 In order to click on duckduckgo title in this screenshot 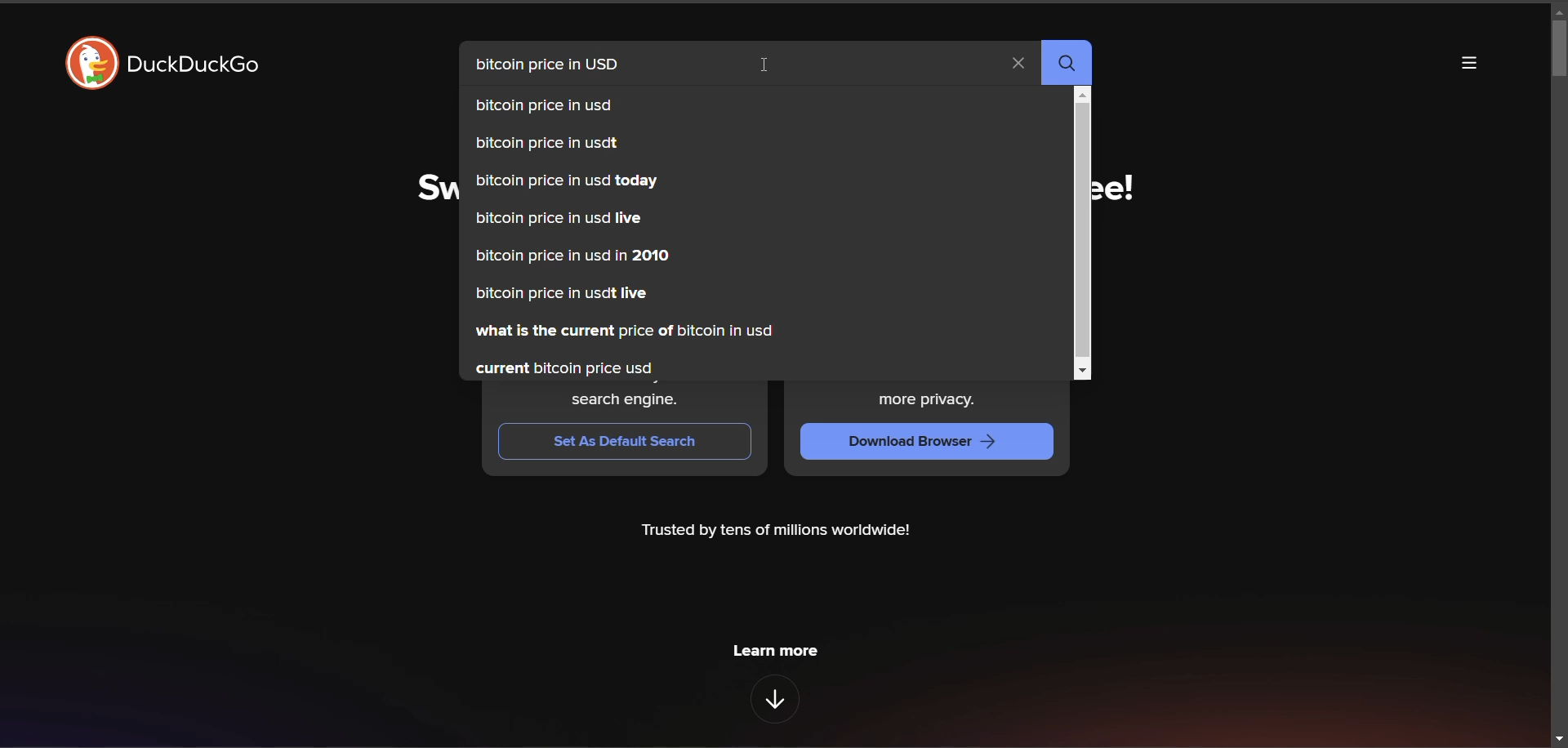, I will do `click(203, 65)`.